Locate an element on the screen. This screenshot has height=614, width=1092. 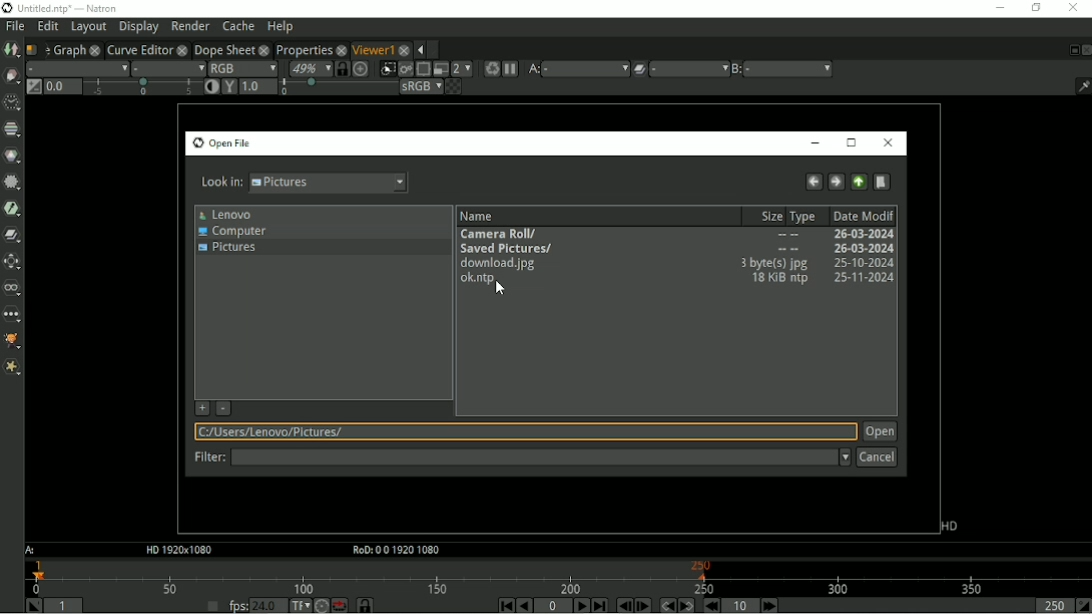
Filter is located at coordinates (540, 459).